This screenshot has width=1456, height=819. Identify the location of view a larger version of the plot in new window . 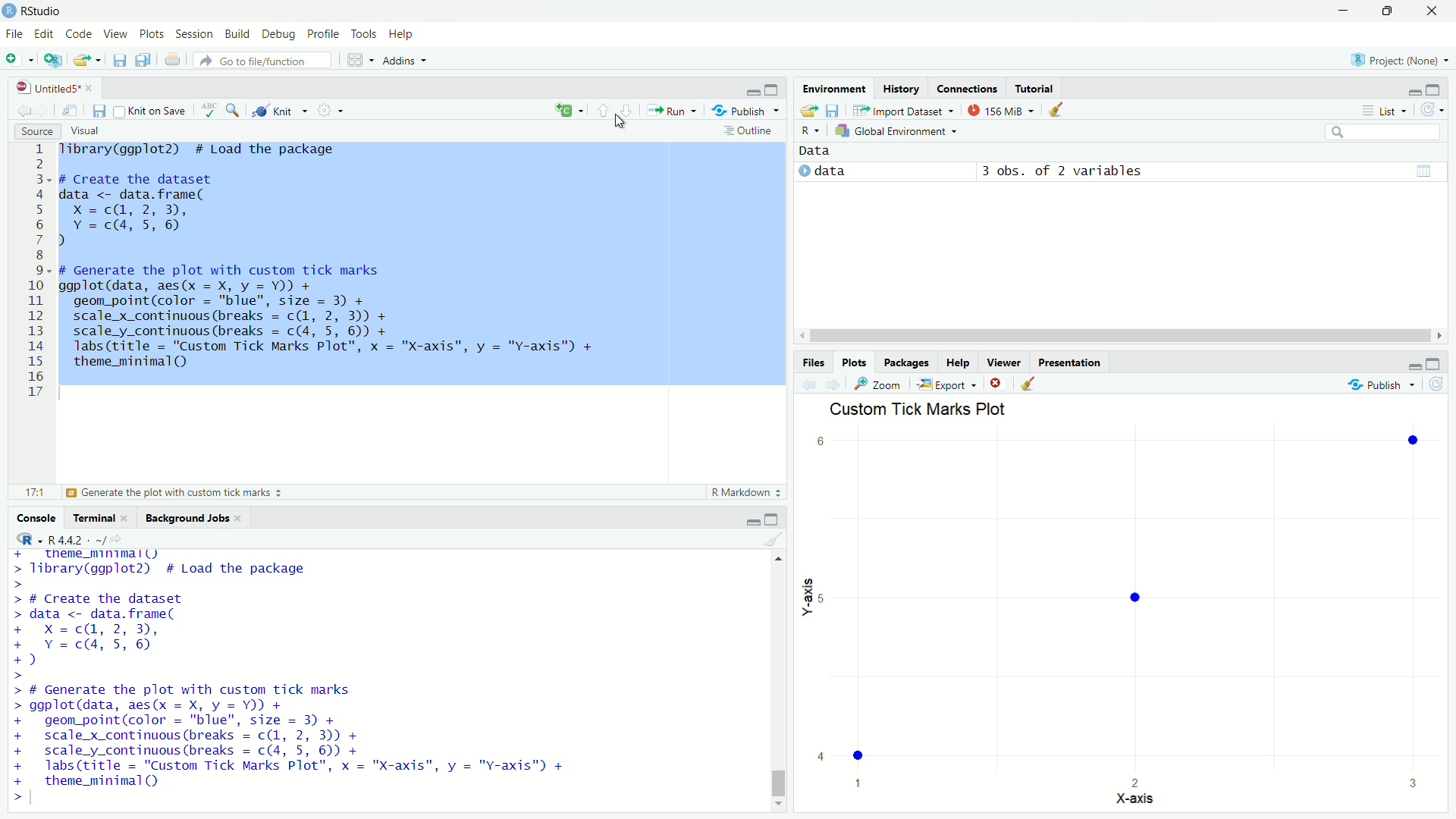
(878, 385).